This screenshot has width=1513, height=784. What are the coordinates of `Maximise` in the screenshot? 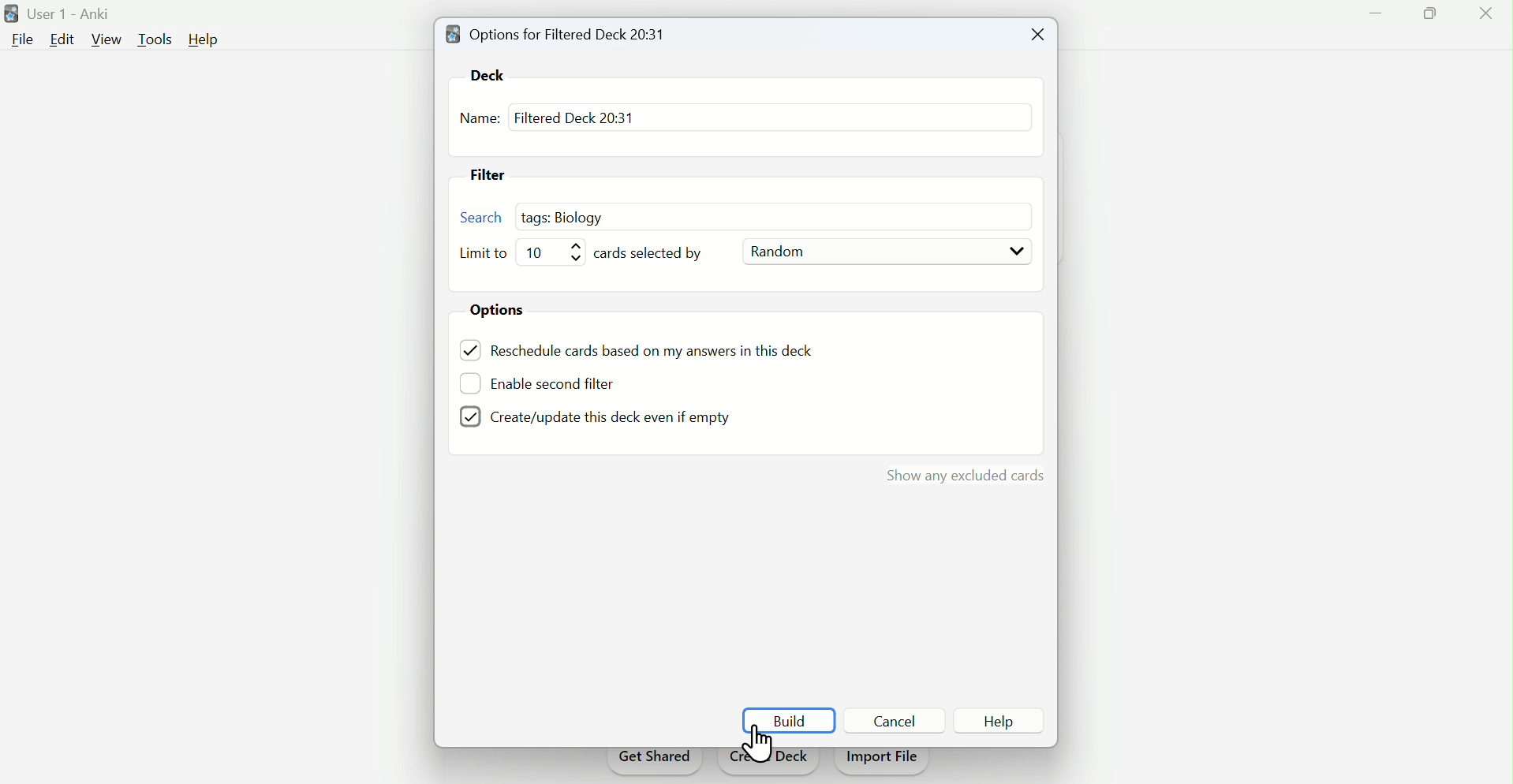 It's located at (1431, 14).